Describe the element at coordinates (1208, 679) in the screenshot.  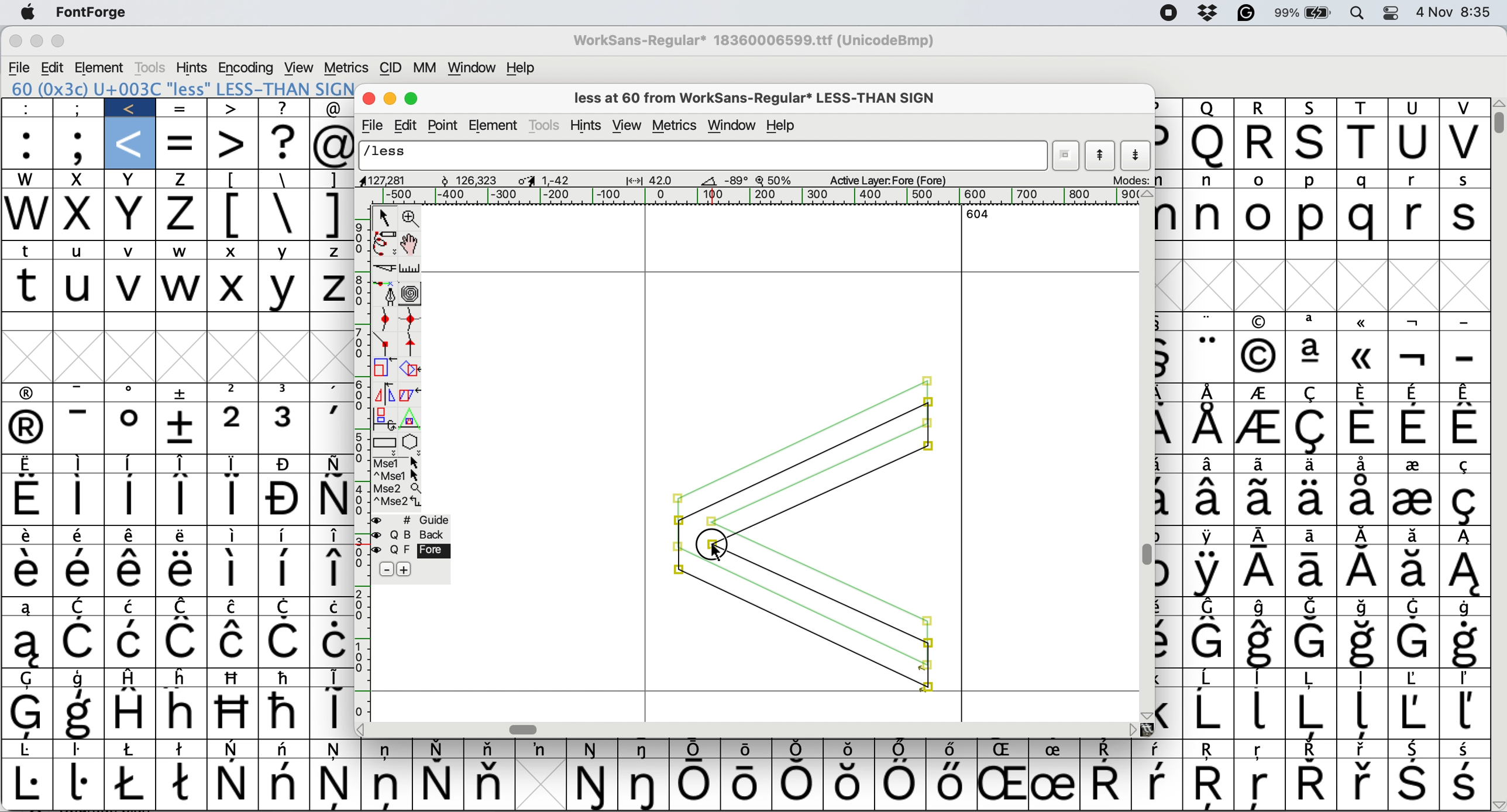
I see `Symbol` at that location.